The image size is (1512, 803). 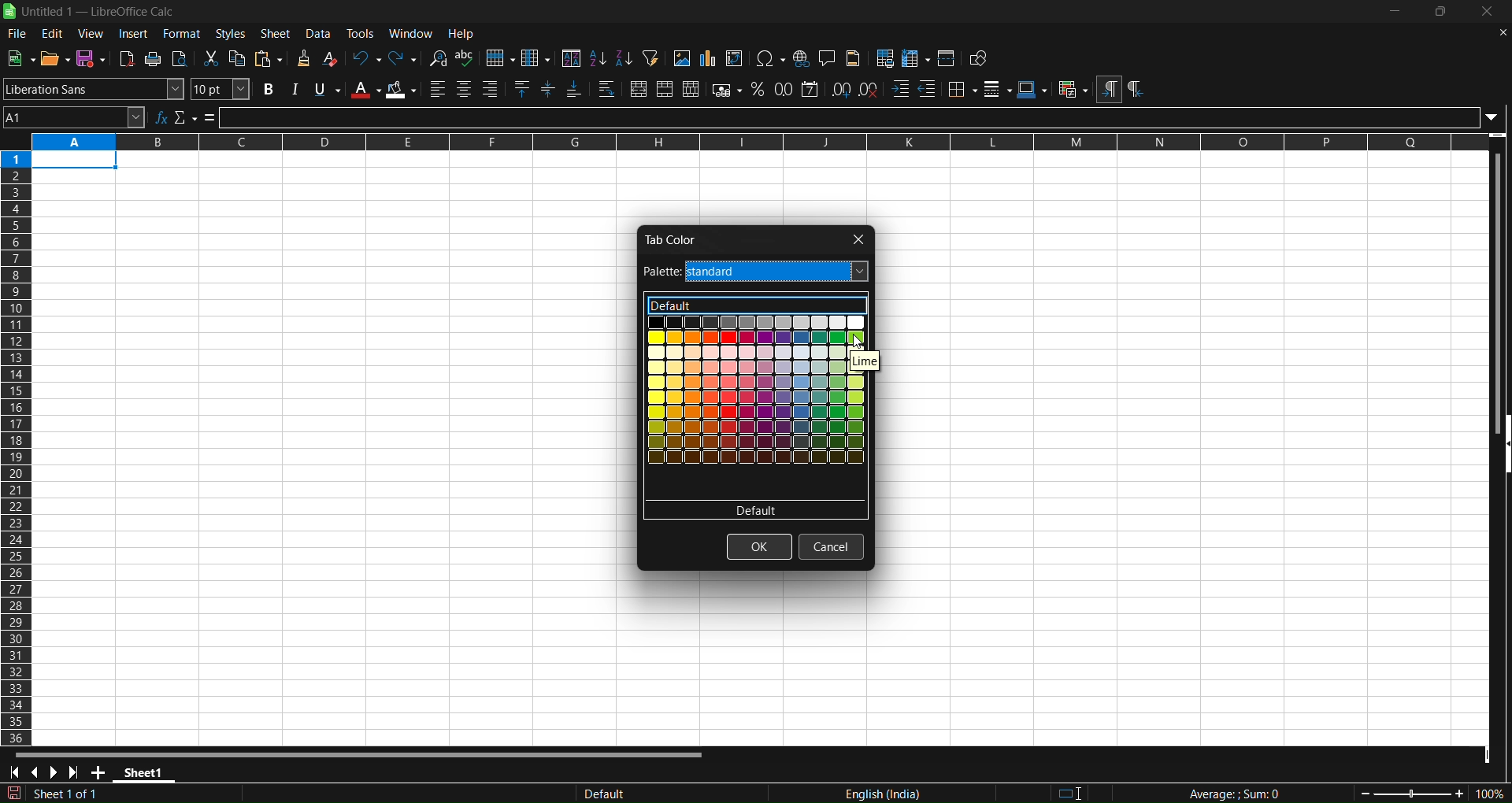 What do you see at coordinates (239, 58) in the screenshot?
I see `copy ` at bounding box center [239, 58].